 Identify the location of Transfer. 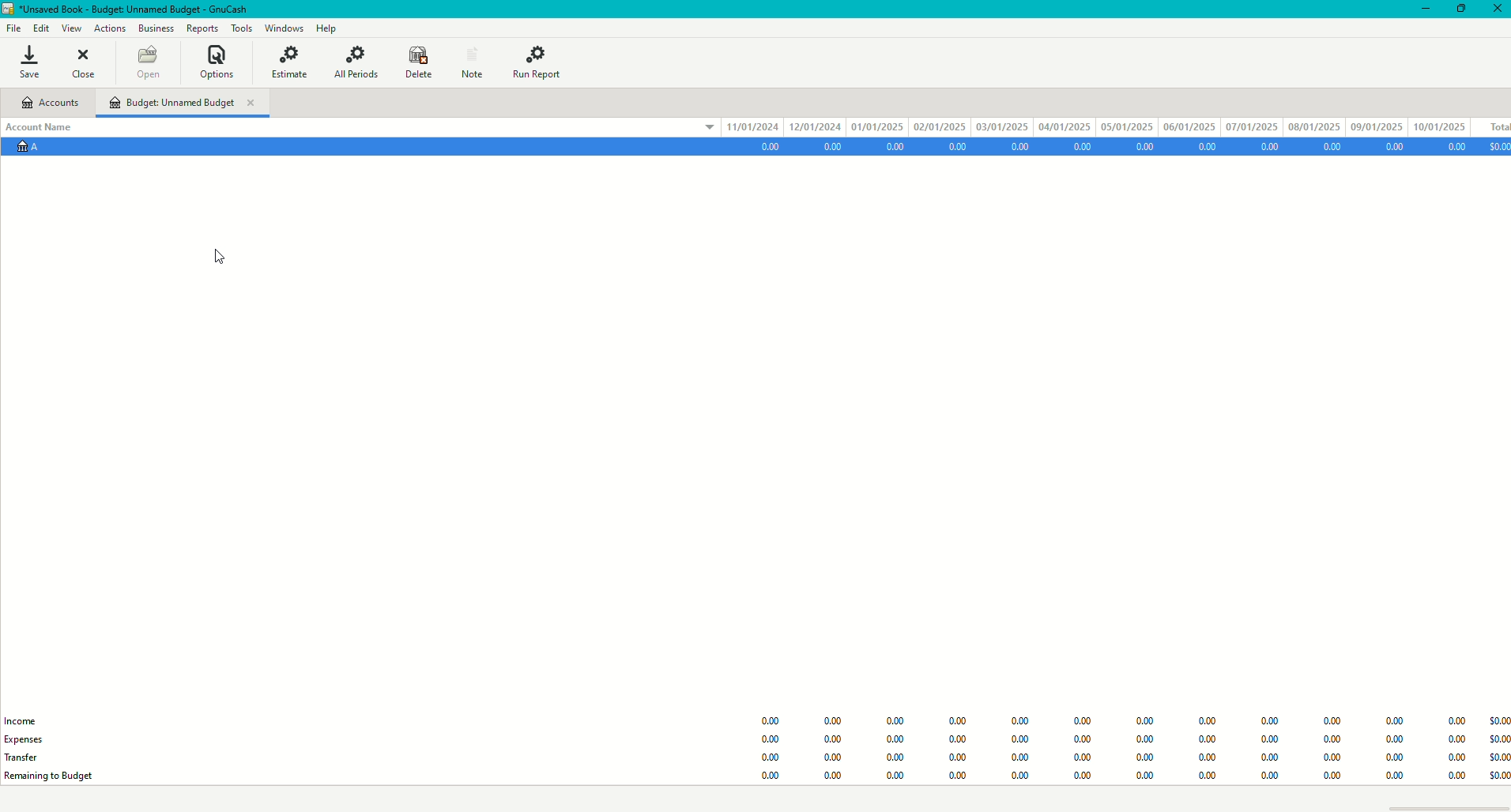
(24, 757).